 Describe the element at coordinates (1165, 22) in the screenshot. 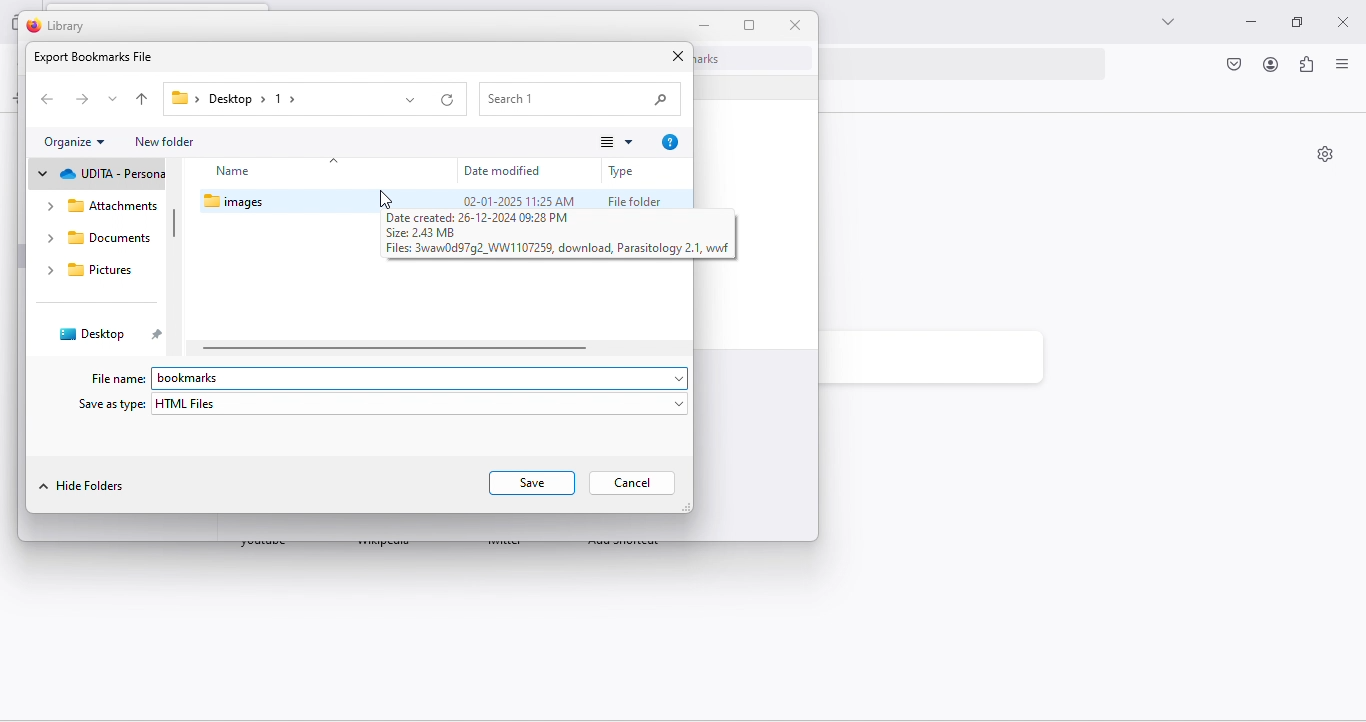

I see `more` at that location.